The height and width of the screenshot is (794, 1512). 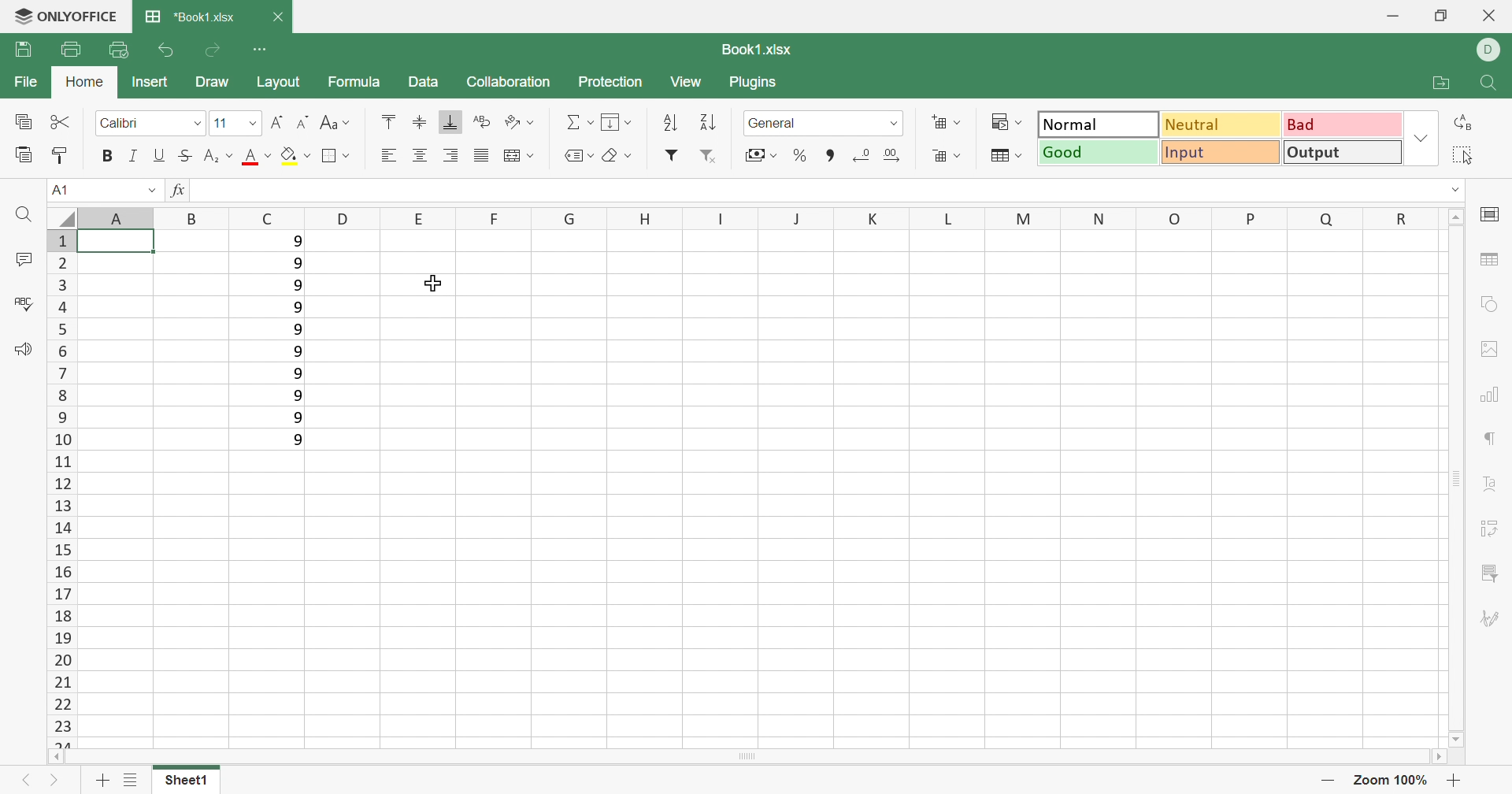 What do you see at coordinates (1392, 781) in the screenshot?
I see `Zoom 100%` at bounding box center [1392, 781].